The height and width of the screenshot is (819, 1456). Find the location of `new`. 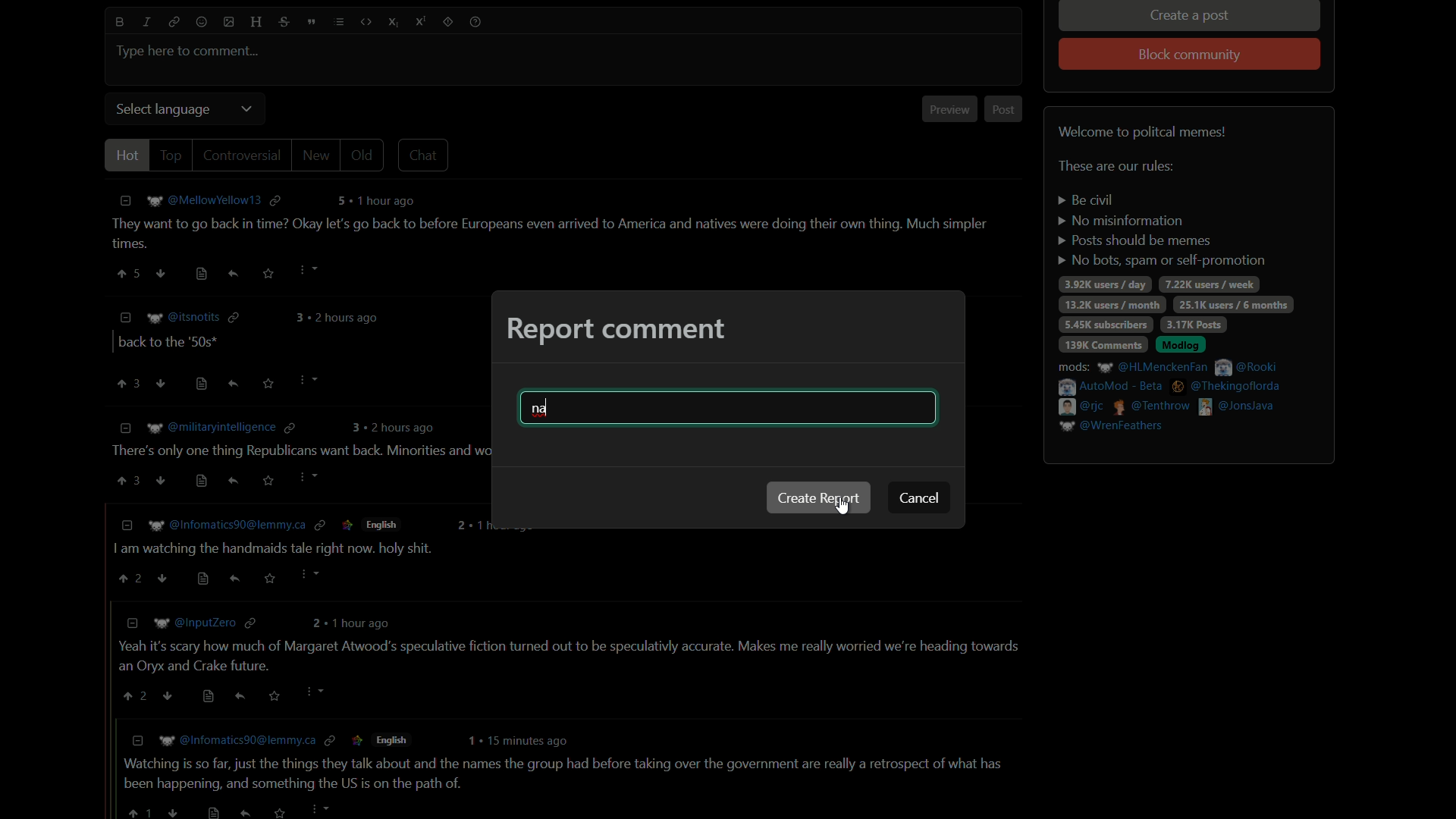

new is located at coordinates (318, 155).